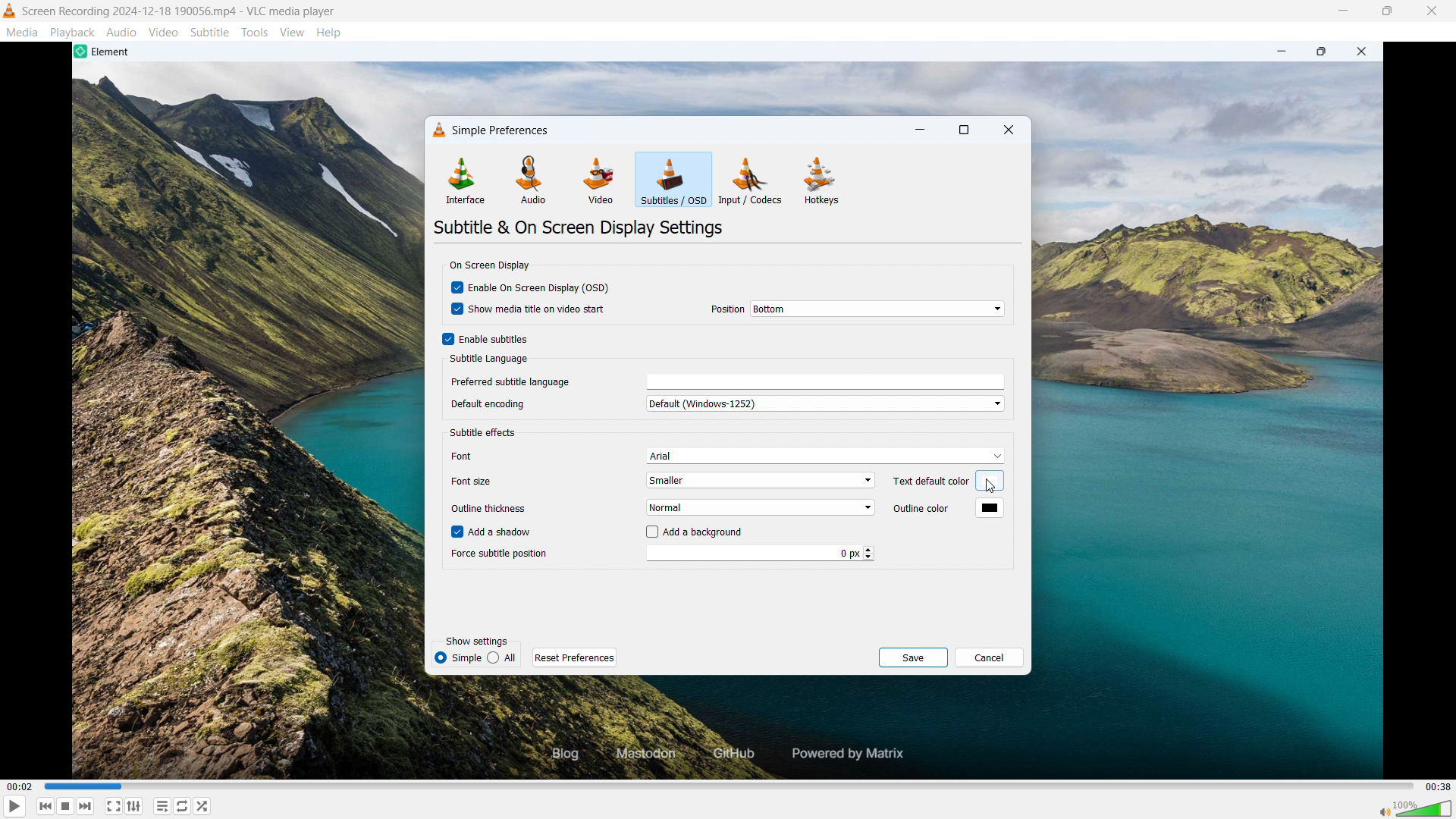 This screenshot has width=1456, height=819. Describe the element at coordinates (912, 657) in the screenshot. I see `save ` at that location.